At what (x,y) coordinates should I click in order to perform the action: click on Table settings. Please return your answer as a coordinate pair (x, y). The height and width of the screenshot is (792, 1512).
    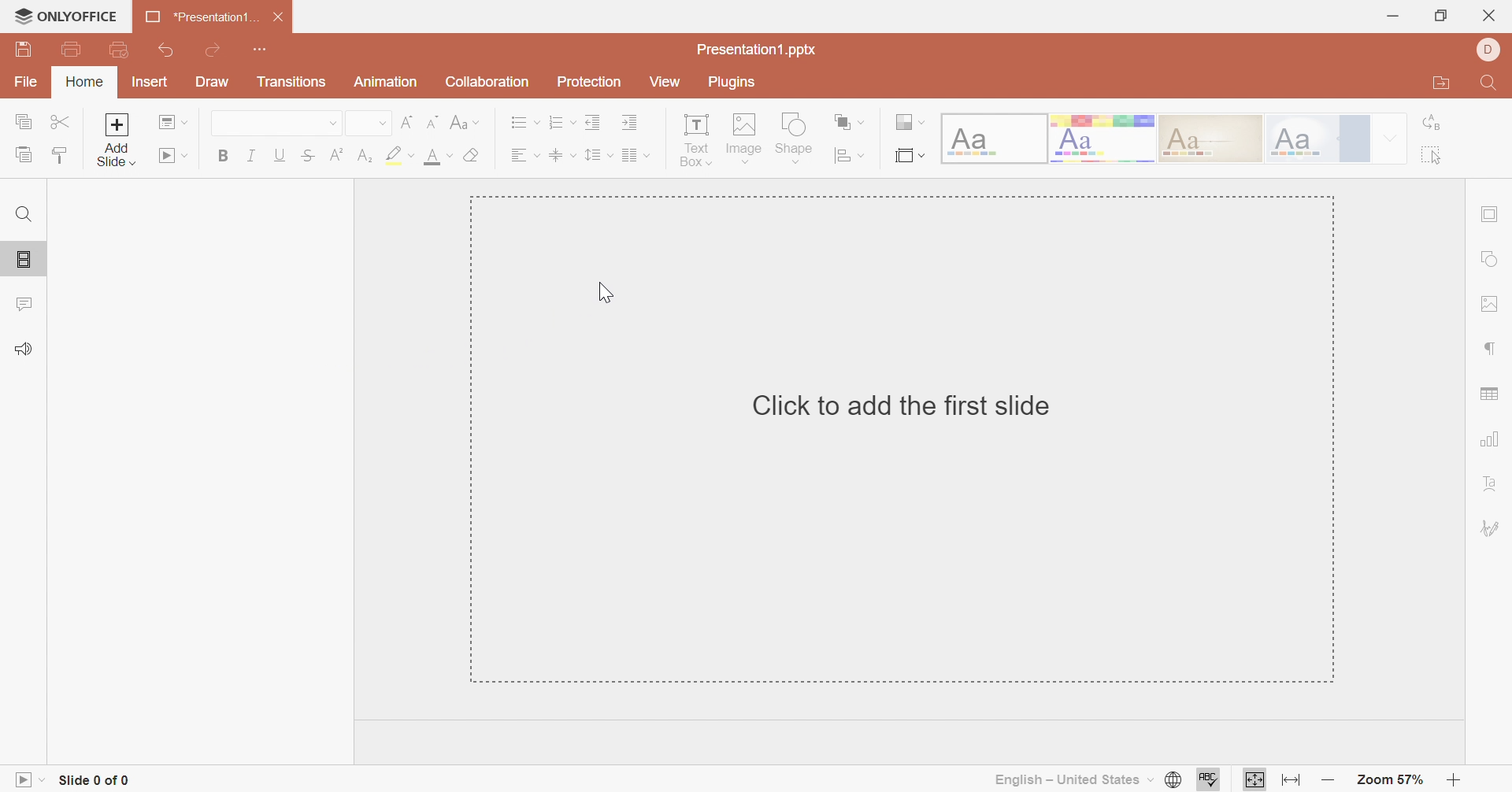
    Looking at the image, I should click on (1489, 389).